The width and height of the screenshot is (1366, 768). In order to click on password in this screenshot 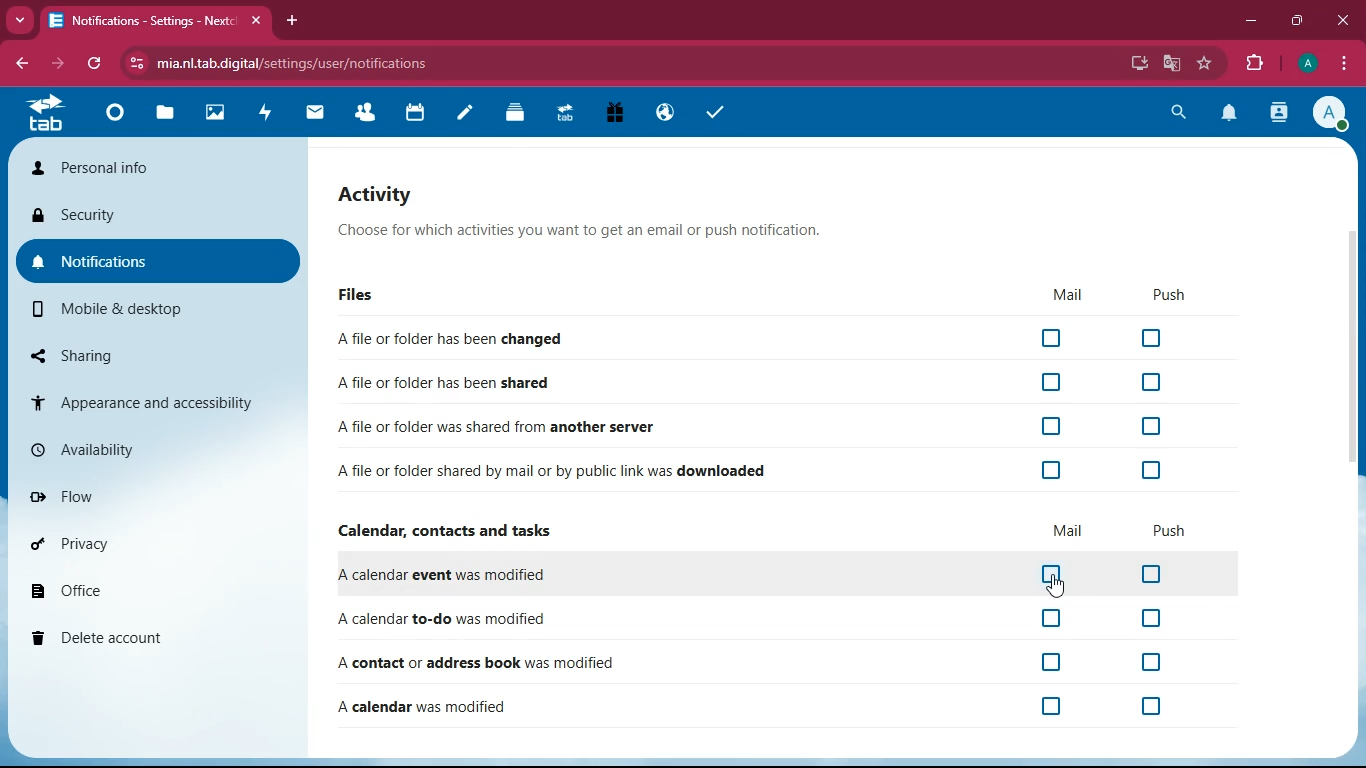, I will do `click(1105, 63)`.